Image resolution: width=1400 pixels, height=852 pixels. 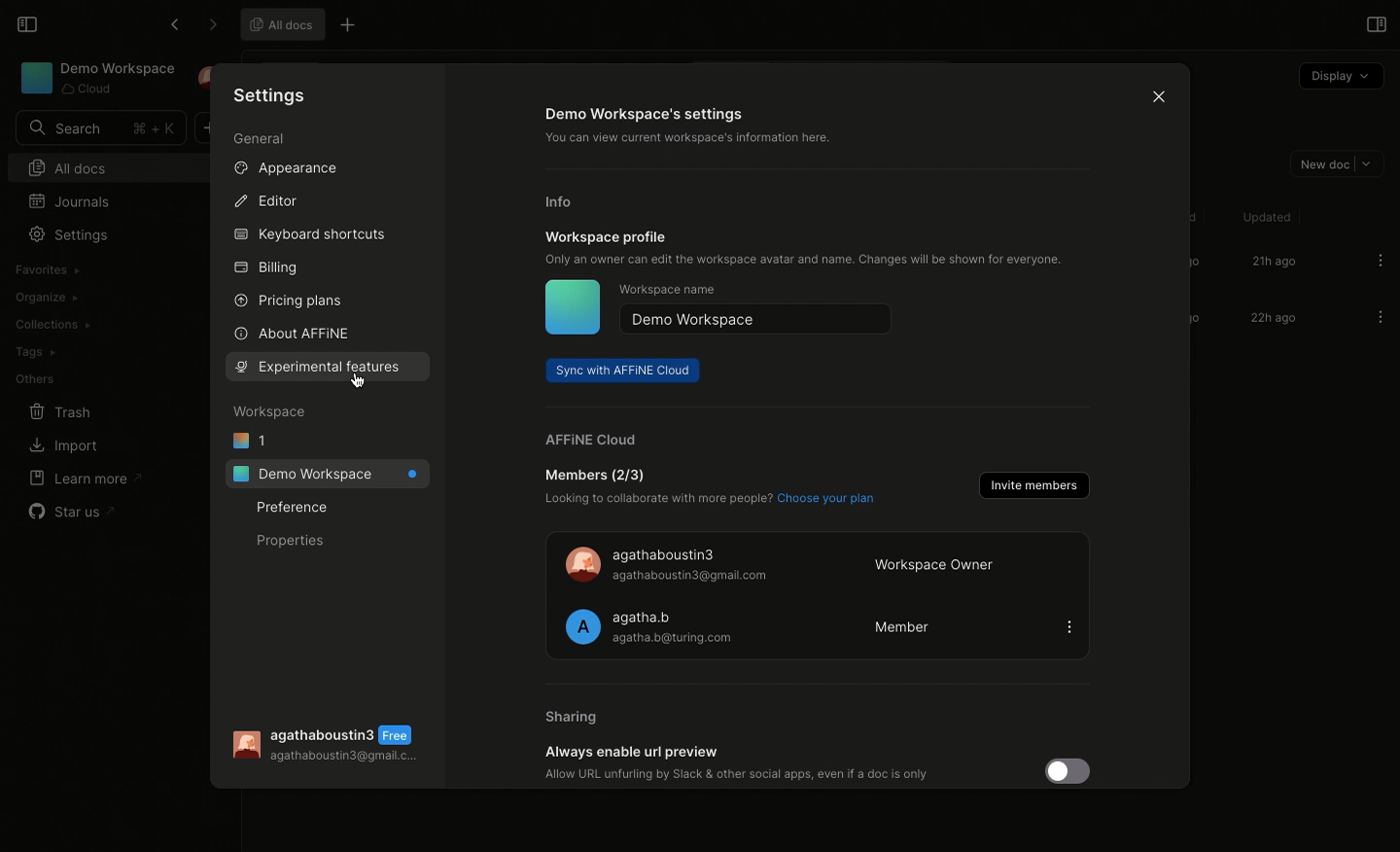 I want to click on Members, so click(x=708, y=488).